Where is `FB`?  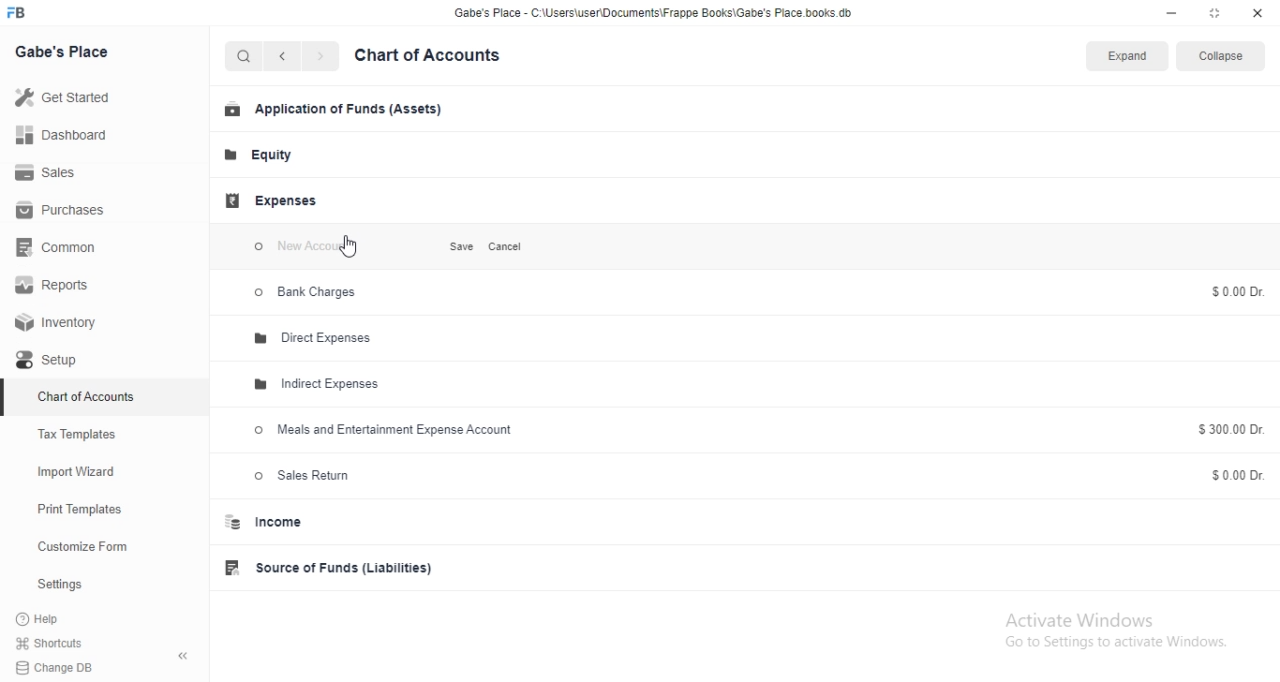 FB is located at coordinates (29, 13).